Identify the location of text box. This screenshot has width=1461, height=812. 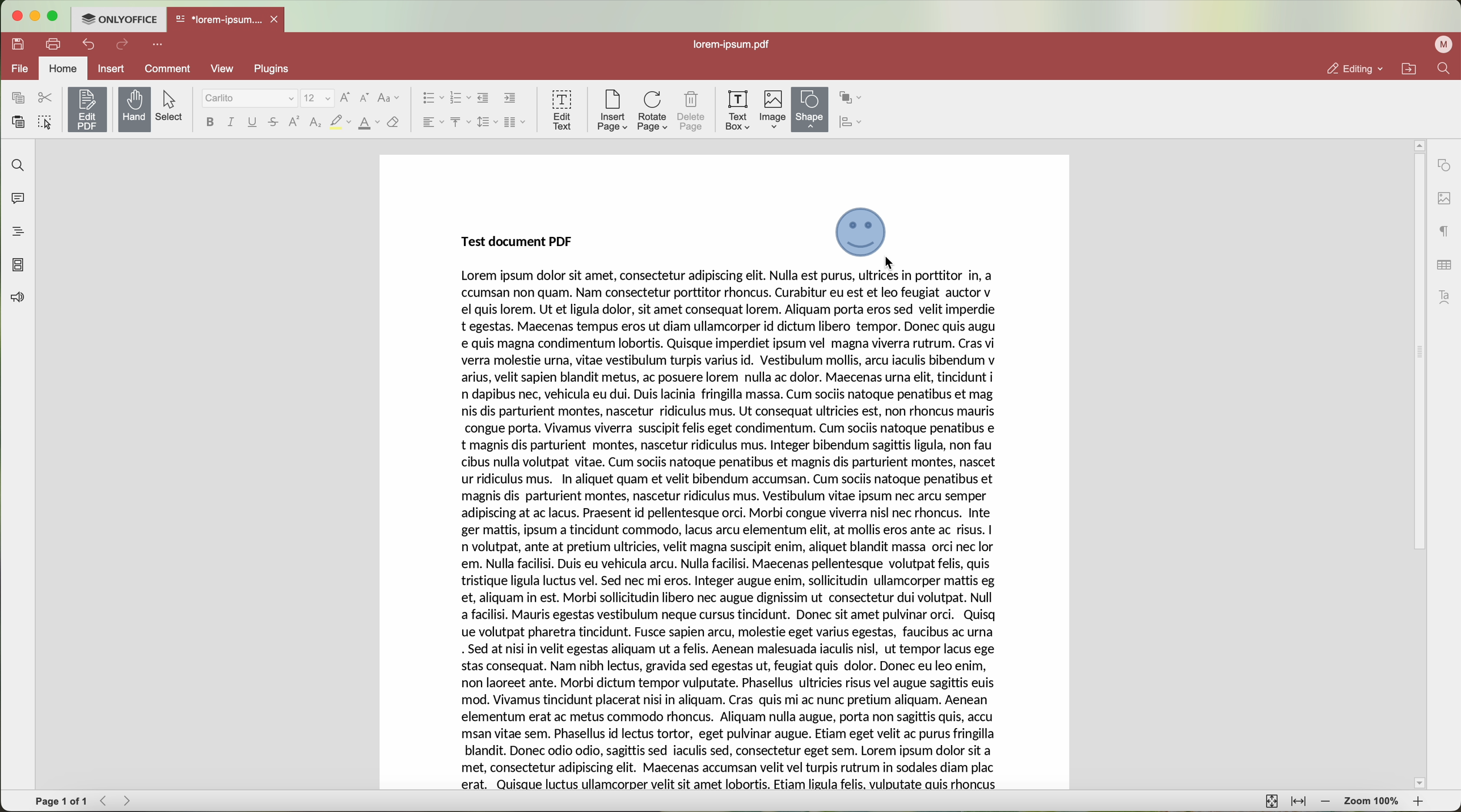
(737, 109).